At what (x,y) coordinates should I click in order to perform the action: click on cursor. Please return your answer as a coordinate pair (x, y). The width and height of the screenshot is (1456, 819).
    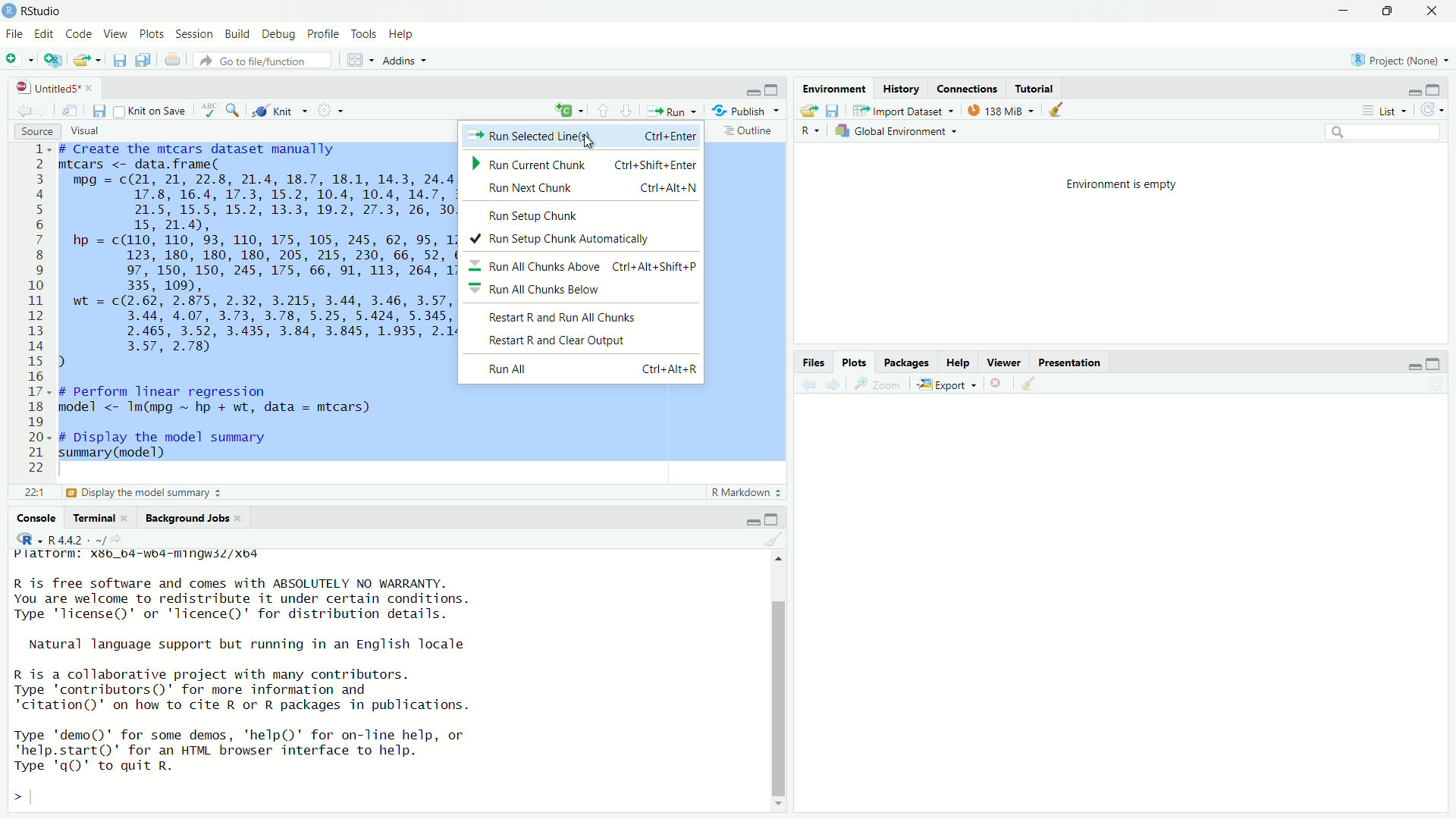
    Looking at the image, I should click on (586, 143).